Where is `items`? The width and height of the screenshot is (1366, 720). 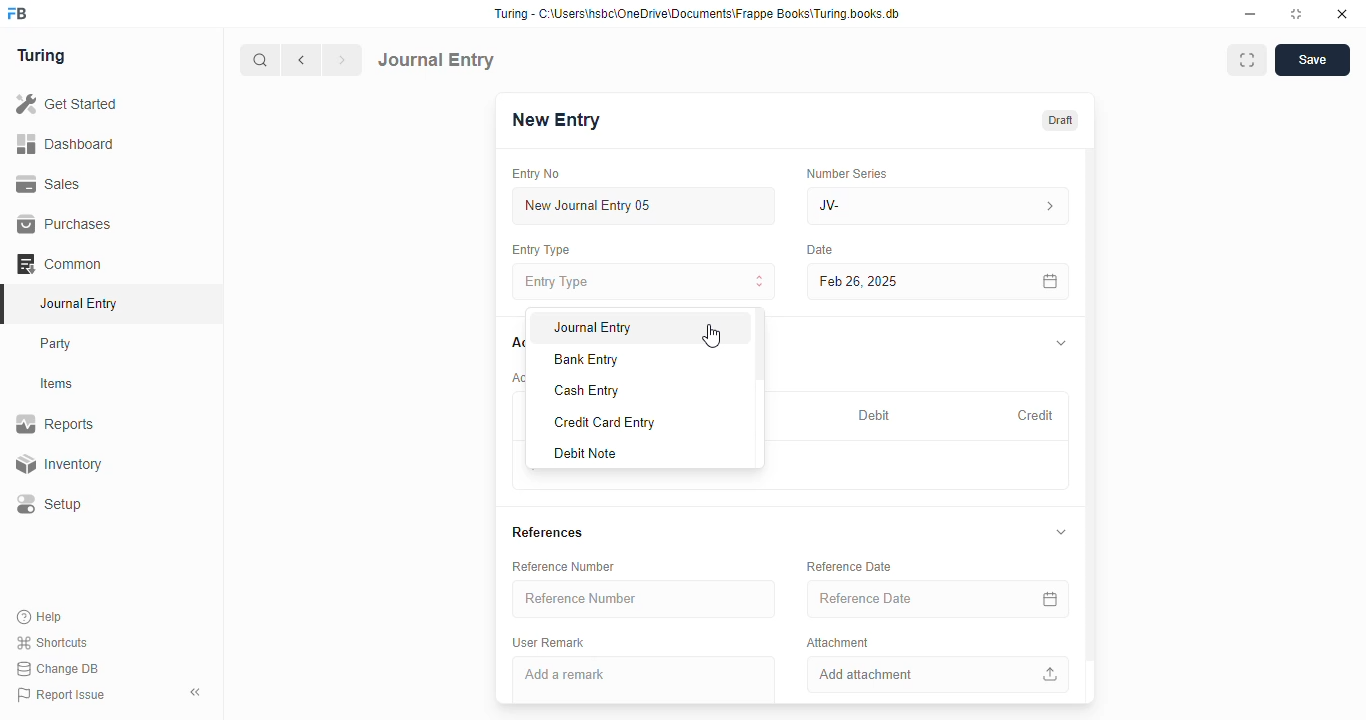 items is located at coordinates (59, 384).